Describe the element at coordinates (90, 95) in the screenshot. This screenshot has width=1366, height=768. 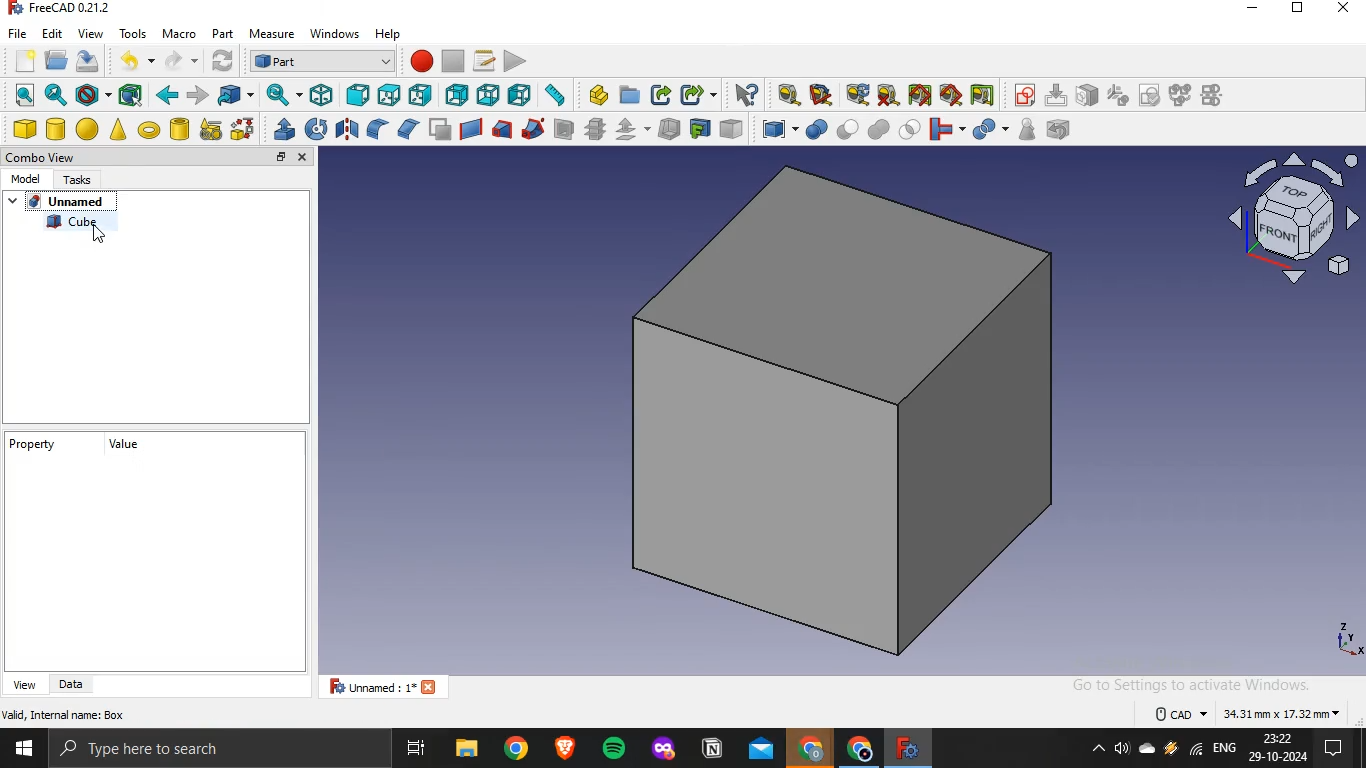
I see `draw style` at that location.